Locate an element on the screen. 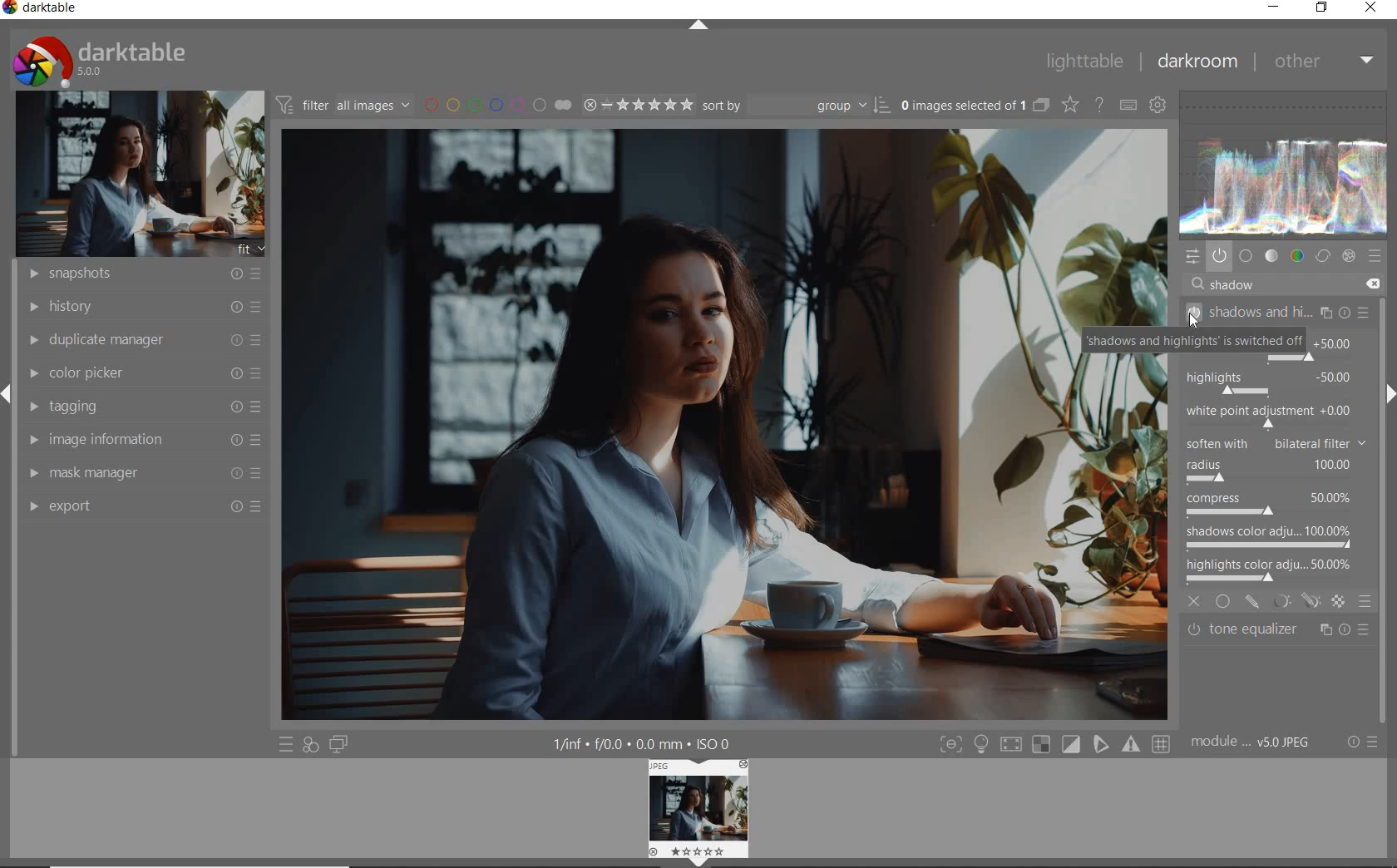 Image resolution: width=1397 pixels, height=868 pixels. quick access for applying any of your styles is located at coordinates (312, 746).